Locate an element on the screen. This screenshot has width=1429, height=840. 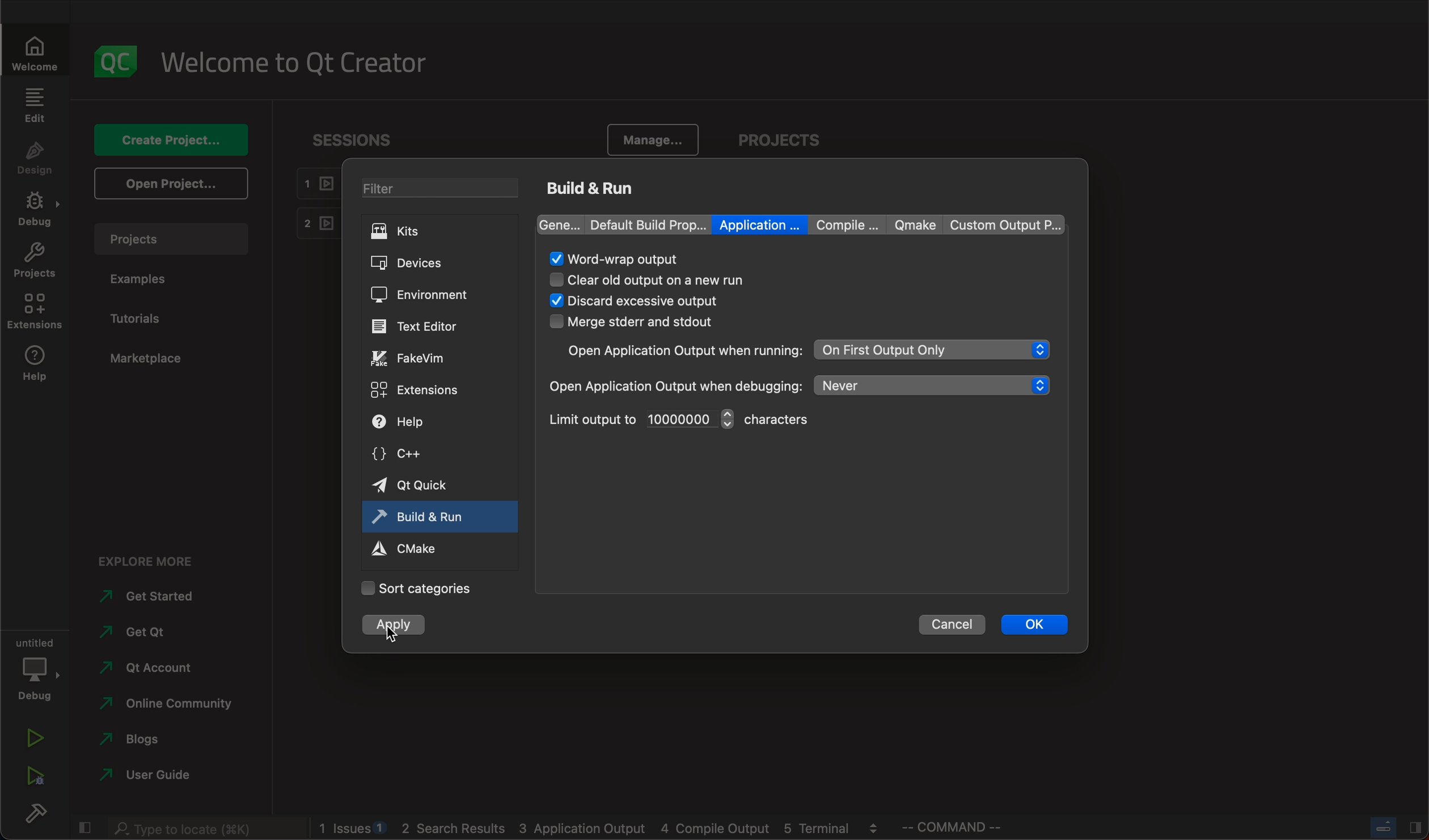
examples is located at coordinates (139, 277).